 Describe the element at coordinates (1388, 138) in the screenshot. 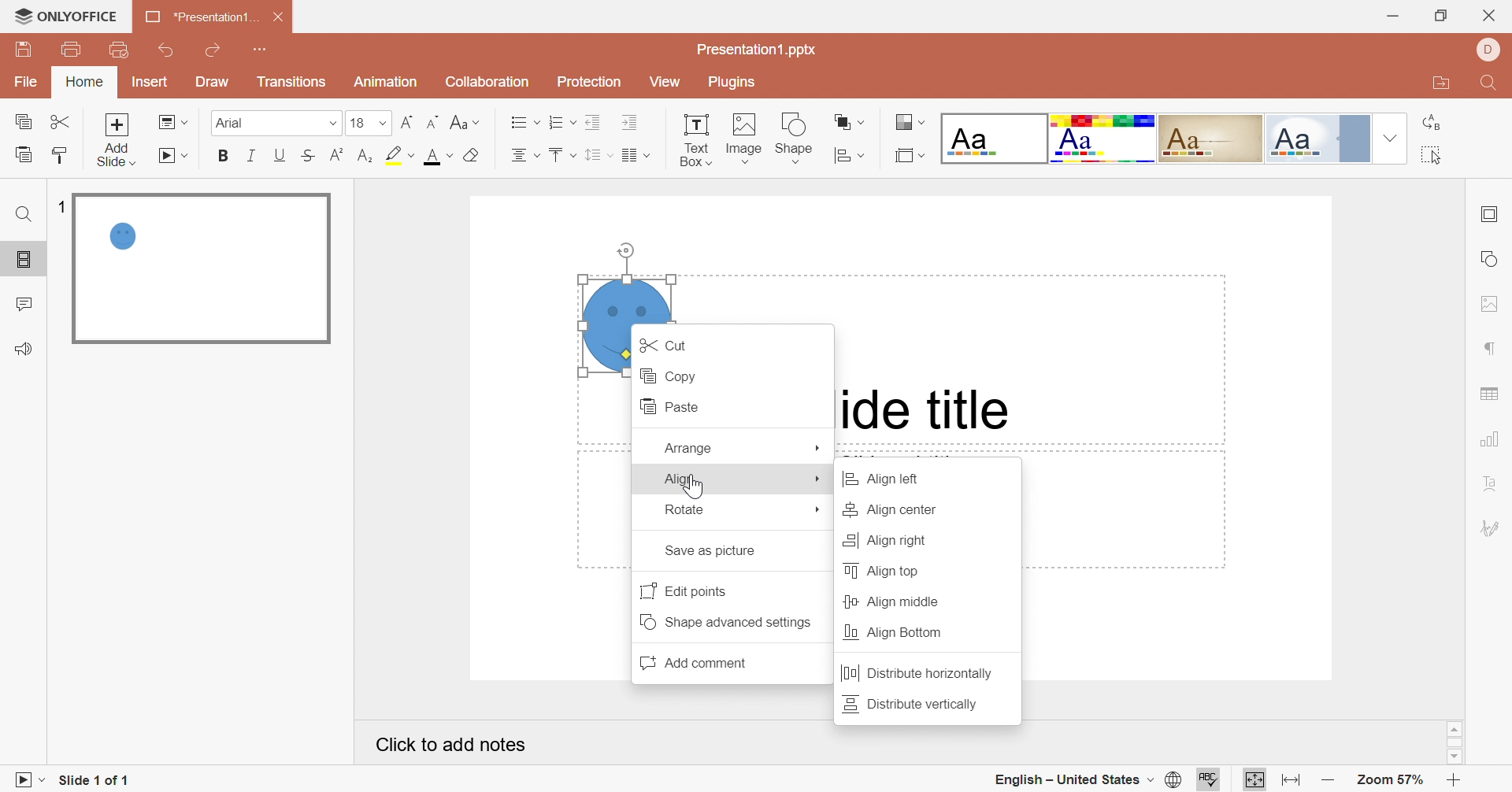

I see `Drop Down` at that location.